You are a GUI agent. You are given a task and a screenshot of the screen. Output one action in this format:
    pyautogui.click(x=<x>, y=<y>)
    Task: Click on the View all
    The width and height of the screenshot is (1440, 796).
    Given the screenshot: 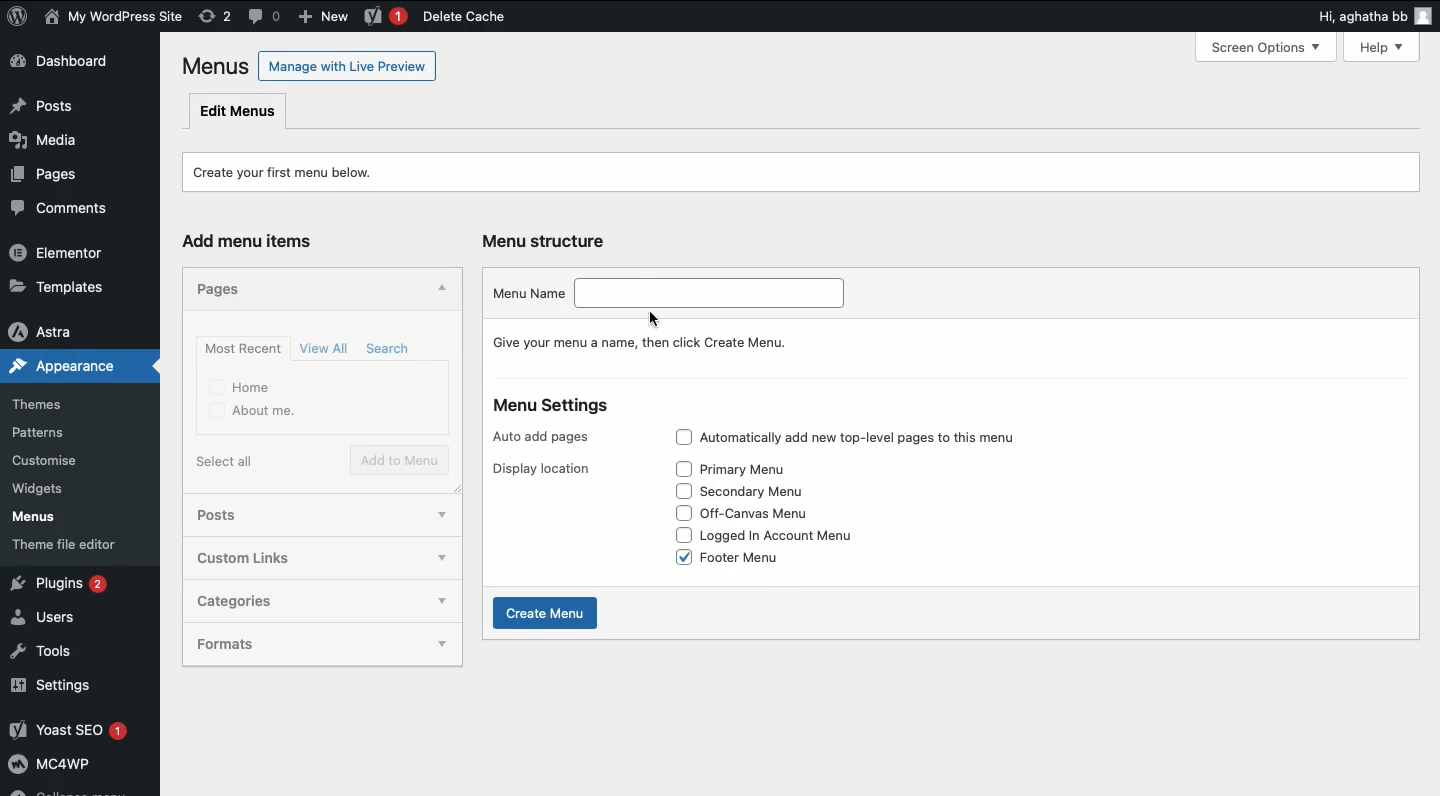 What is the action you would take?
    pyautogui.click(x=326, y=347)
    